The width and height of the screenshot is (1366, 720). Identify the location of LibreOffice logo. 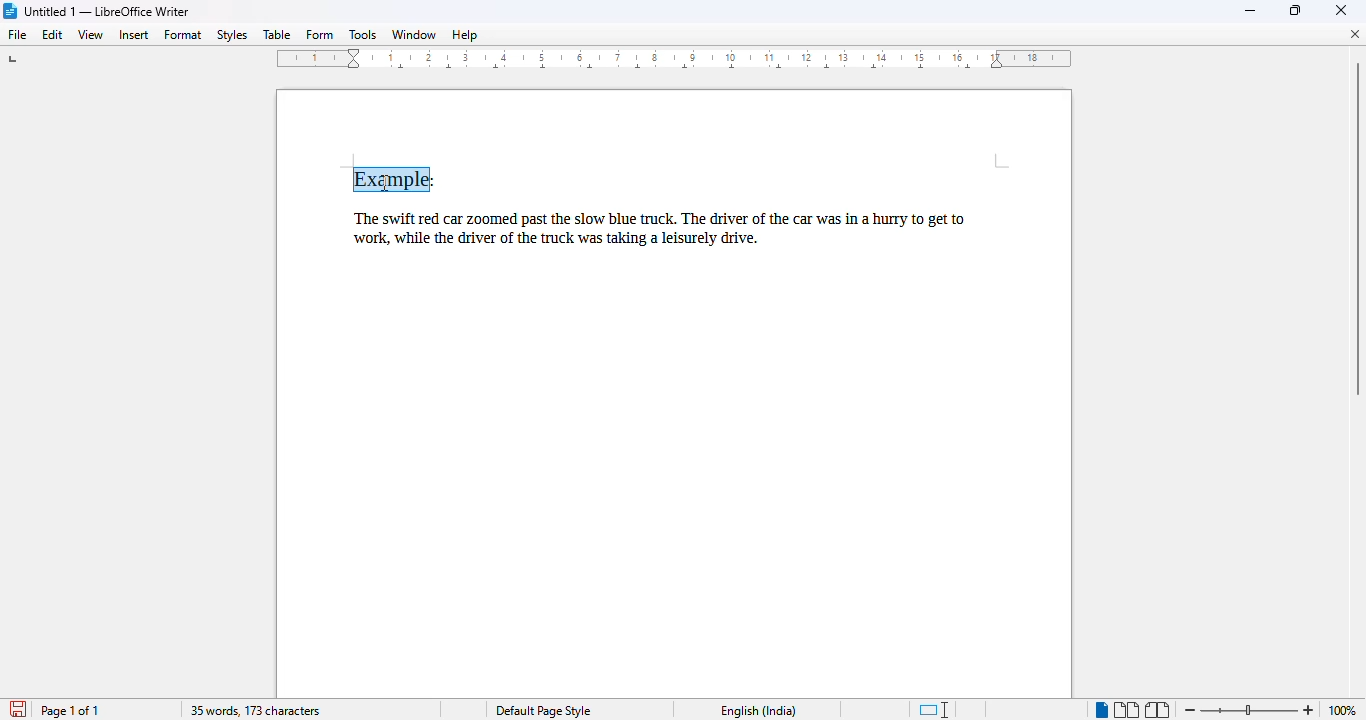
(9, 11).